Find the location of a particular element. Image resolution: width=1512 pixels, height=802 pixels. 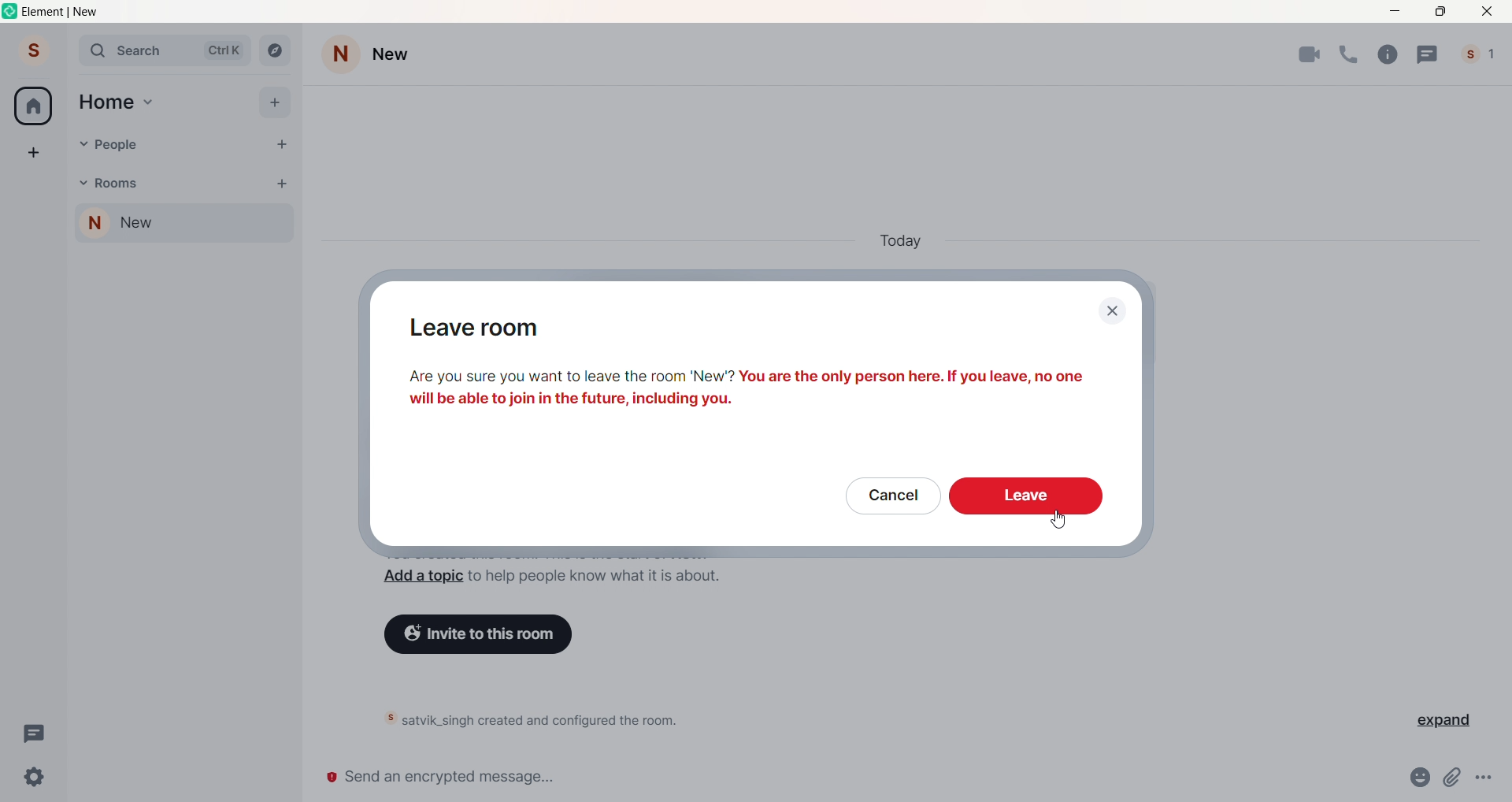

more options is located at coordinates (1488, 777).